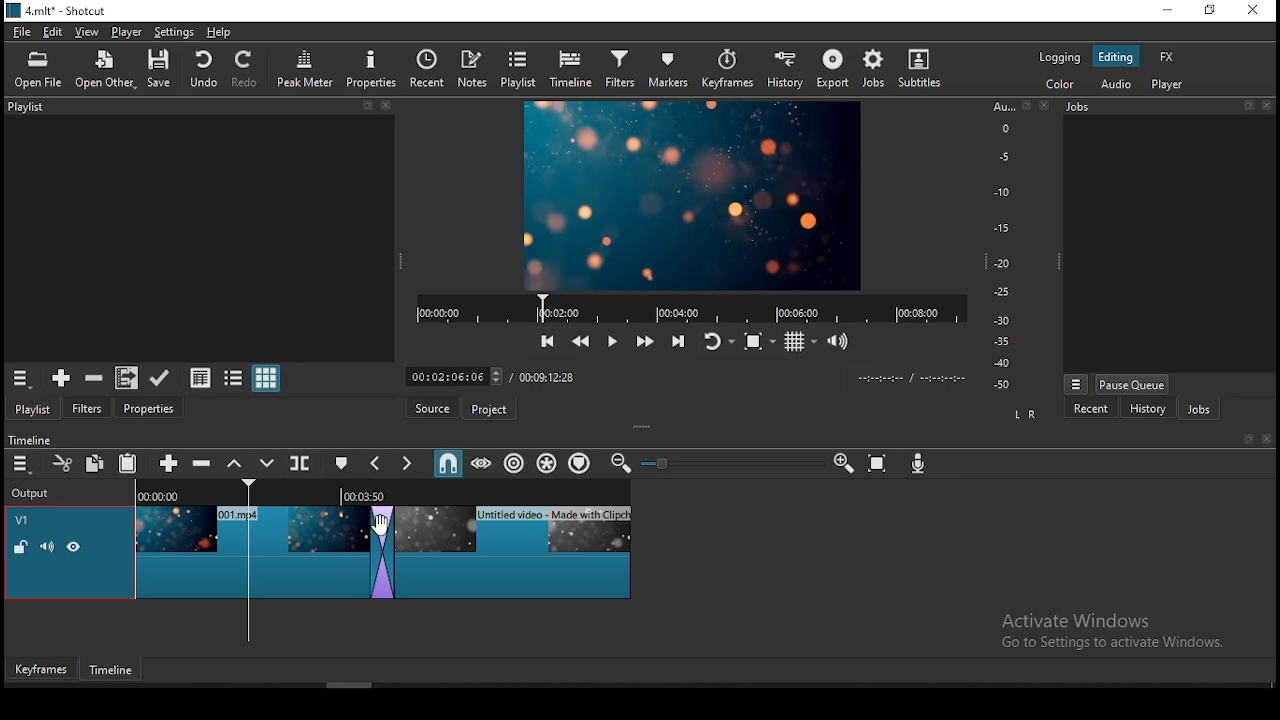 The height and width of the screenshot is (720, 1280). Describe the element at coordinates (20, 378) in the screenshot. I see `playlist menu` at that location.